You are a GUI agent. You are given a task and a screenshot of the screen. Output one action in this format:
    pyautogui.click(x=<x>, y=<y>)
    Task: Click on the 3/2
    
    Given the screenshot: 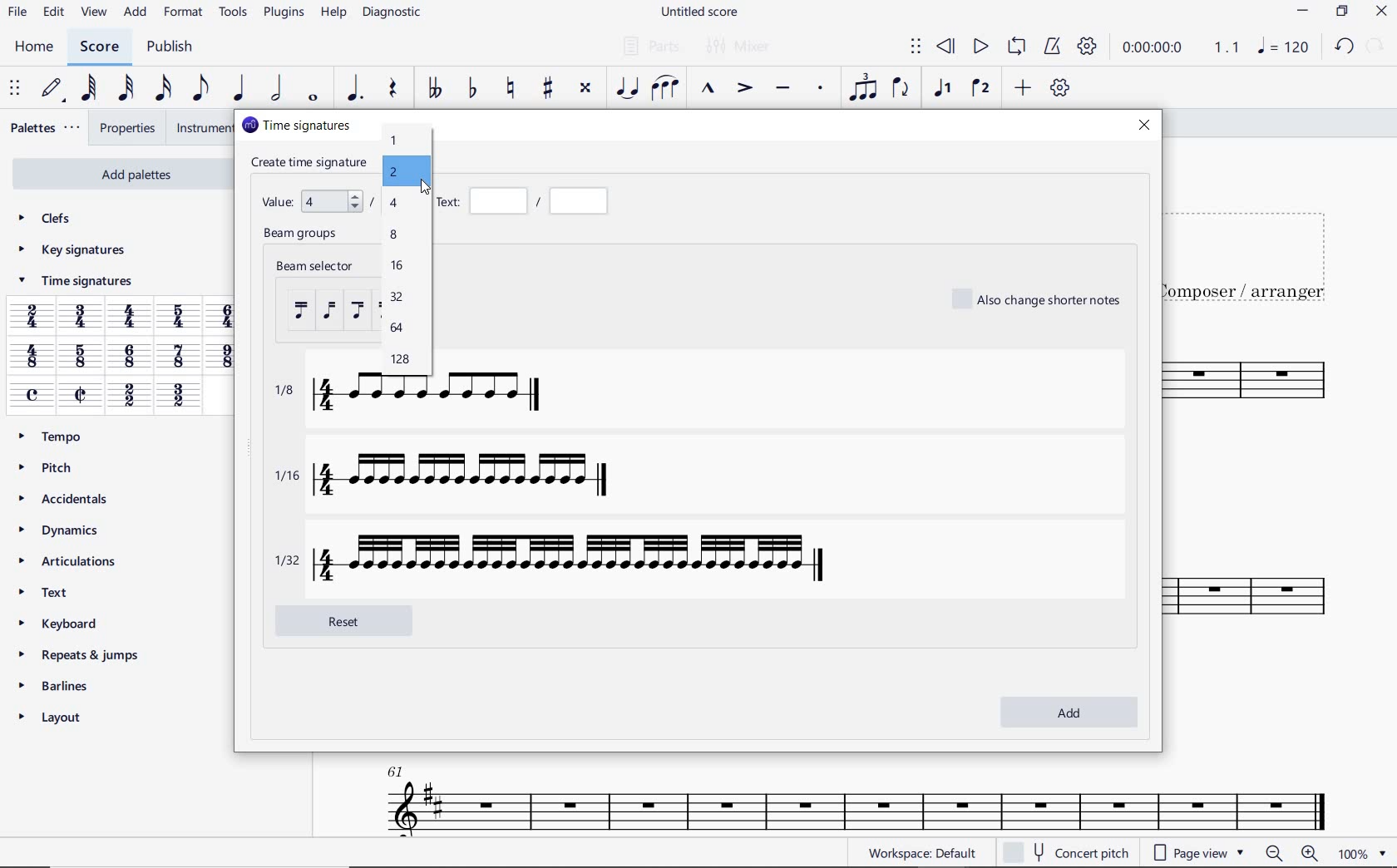 What is the action you would take?
    pyautogui.click(x=177, y=397)
    